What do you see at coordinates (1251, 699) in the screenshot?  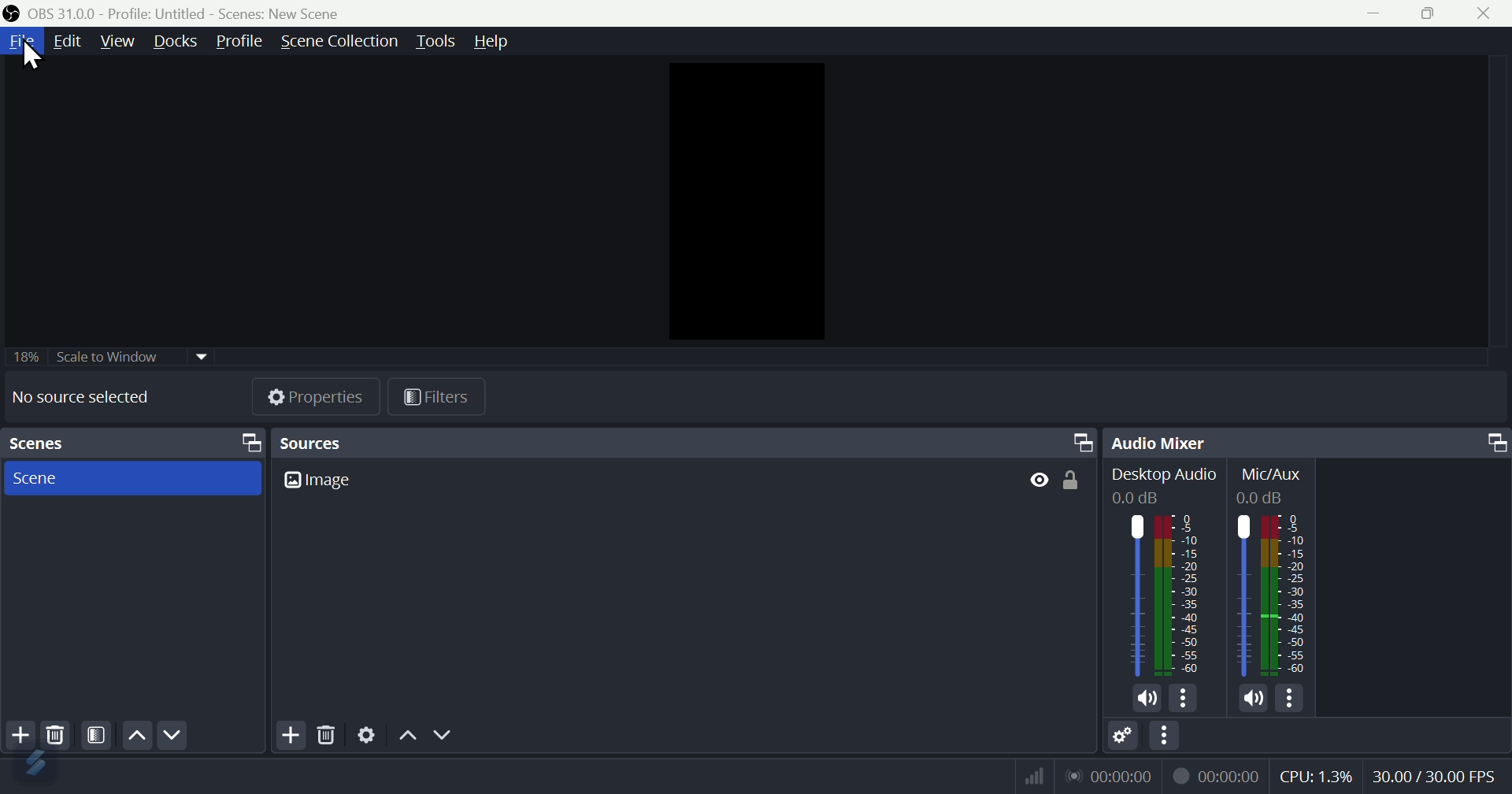 I see `volume` at bounding box center [1251, 699].